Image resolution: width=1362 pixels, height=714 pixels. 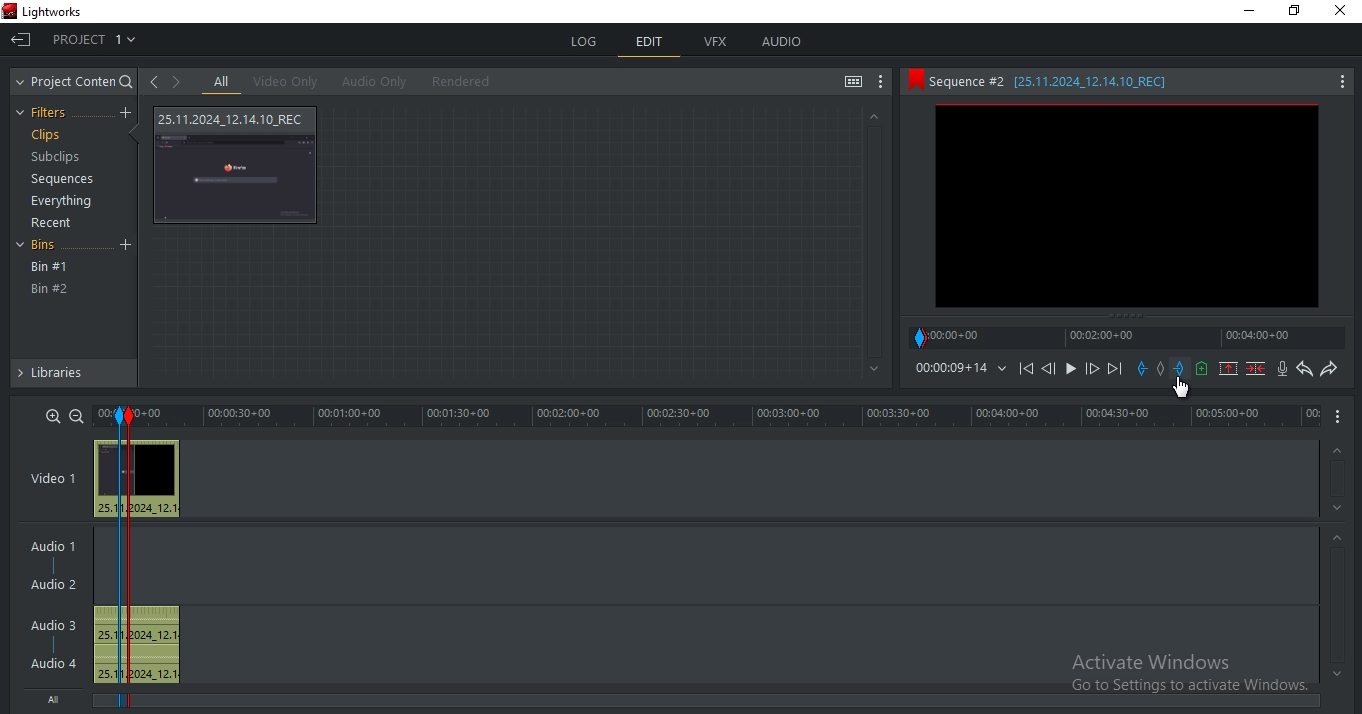 I want to click on zoom out, so click(x=76, y=415).